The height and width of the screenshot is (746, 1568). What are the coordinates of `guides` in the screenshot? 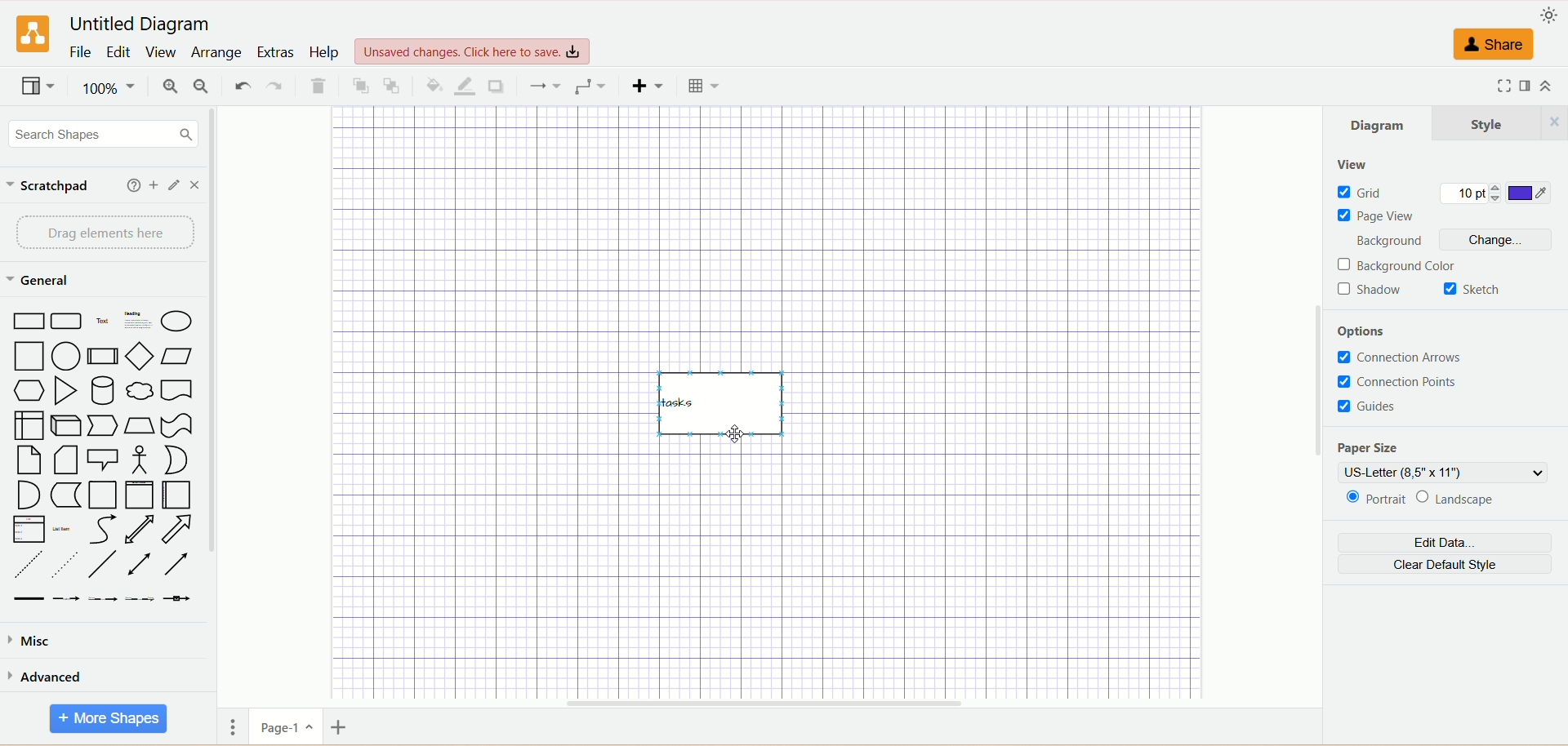 It's located at (1379, 407).